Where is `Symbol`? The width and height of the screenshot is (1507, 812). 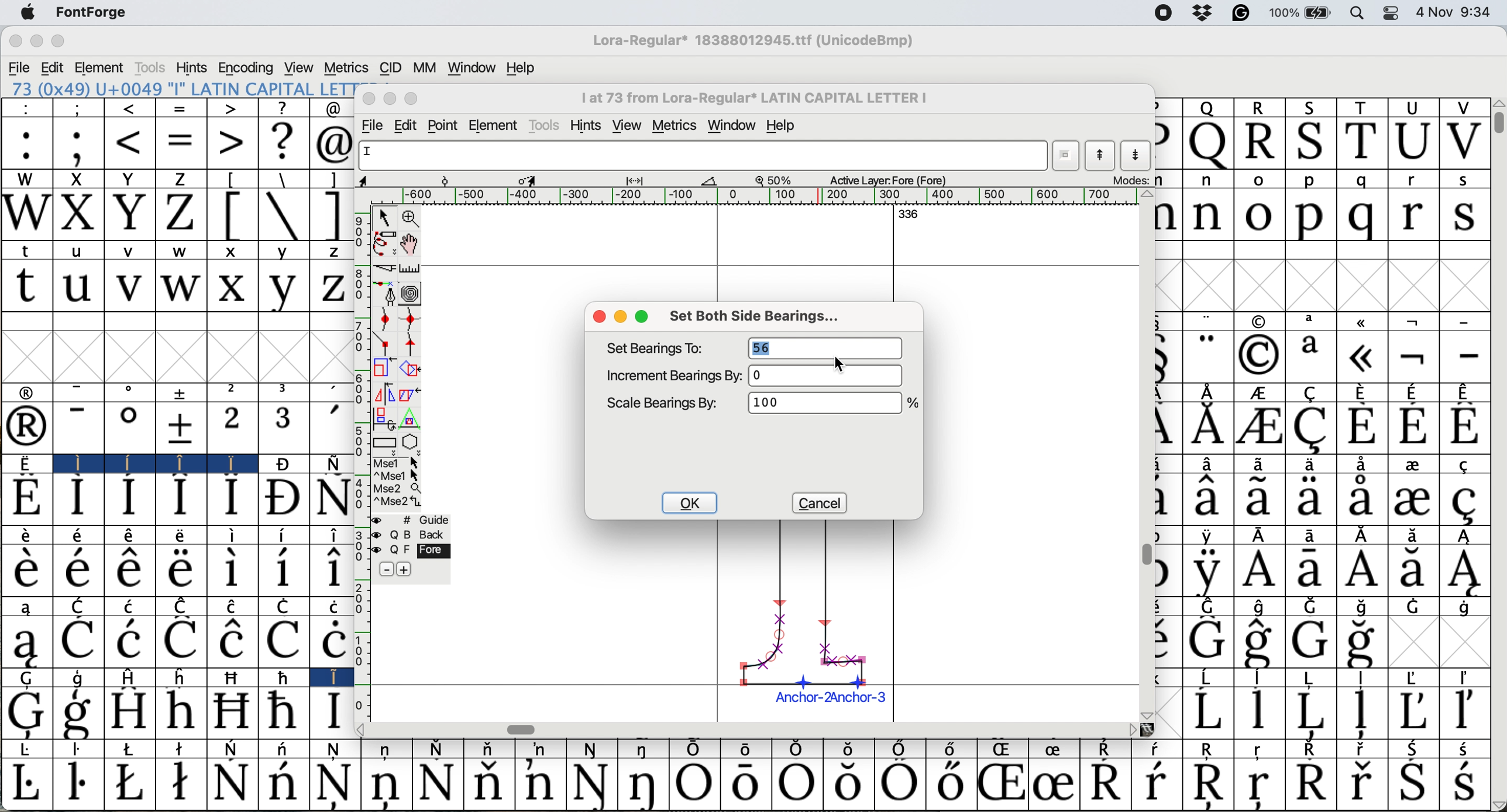
Symbol is located at coordinates (1360, 426).